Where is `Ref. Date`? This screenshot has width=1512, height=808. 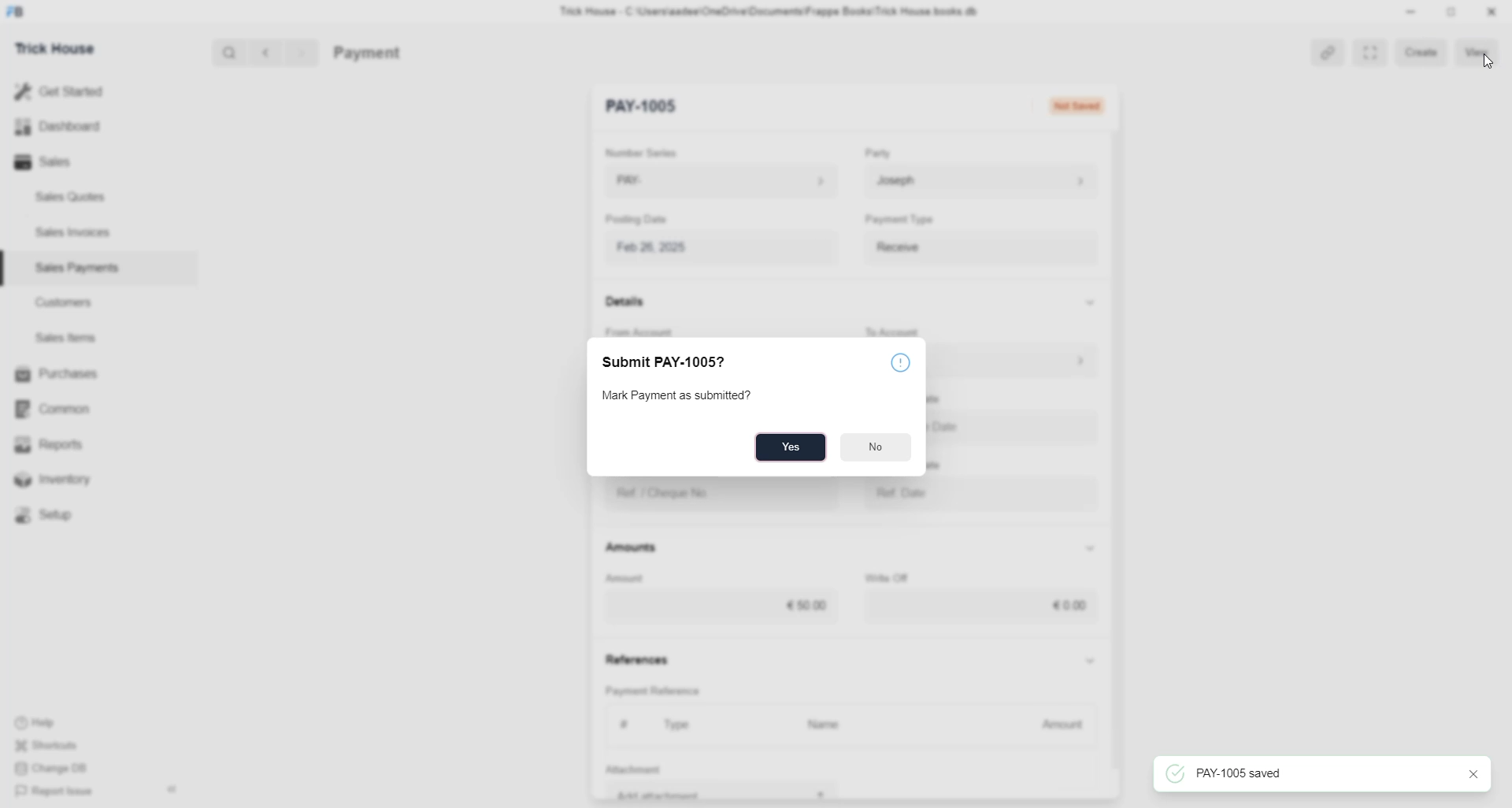
Ref. Date is located at coordinates (983, 494).